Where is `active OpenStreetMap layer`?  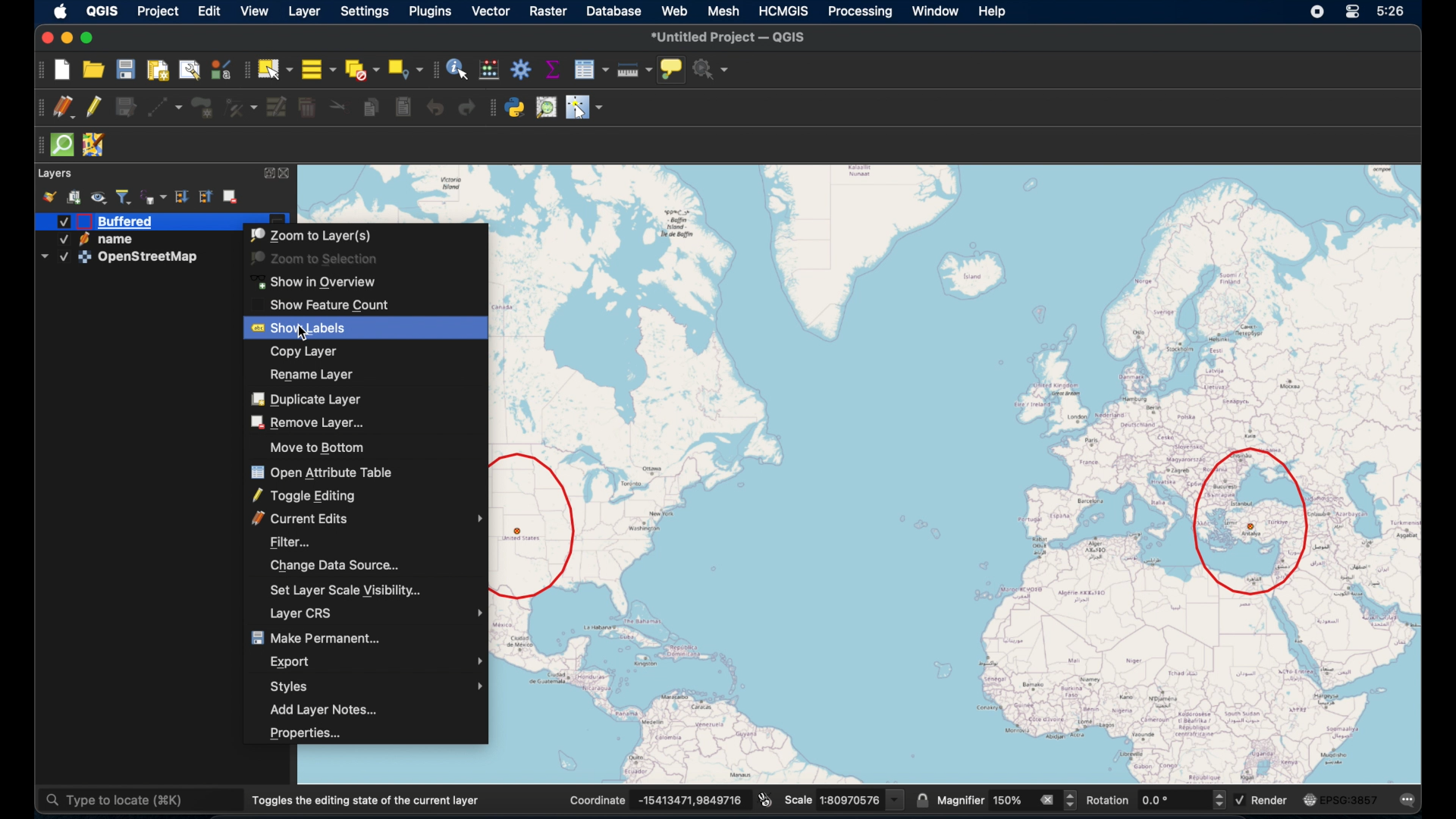
active OpenStreetMap layer is located at coordinates (121, 257).